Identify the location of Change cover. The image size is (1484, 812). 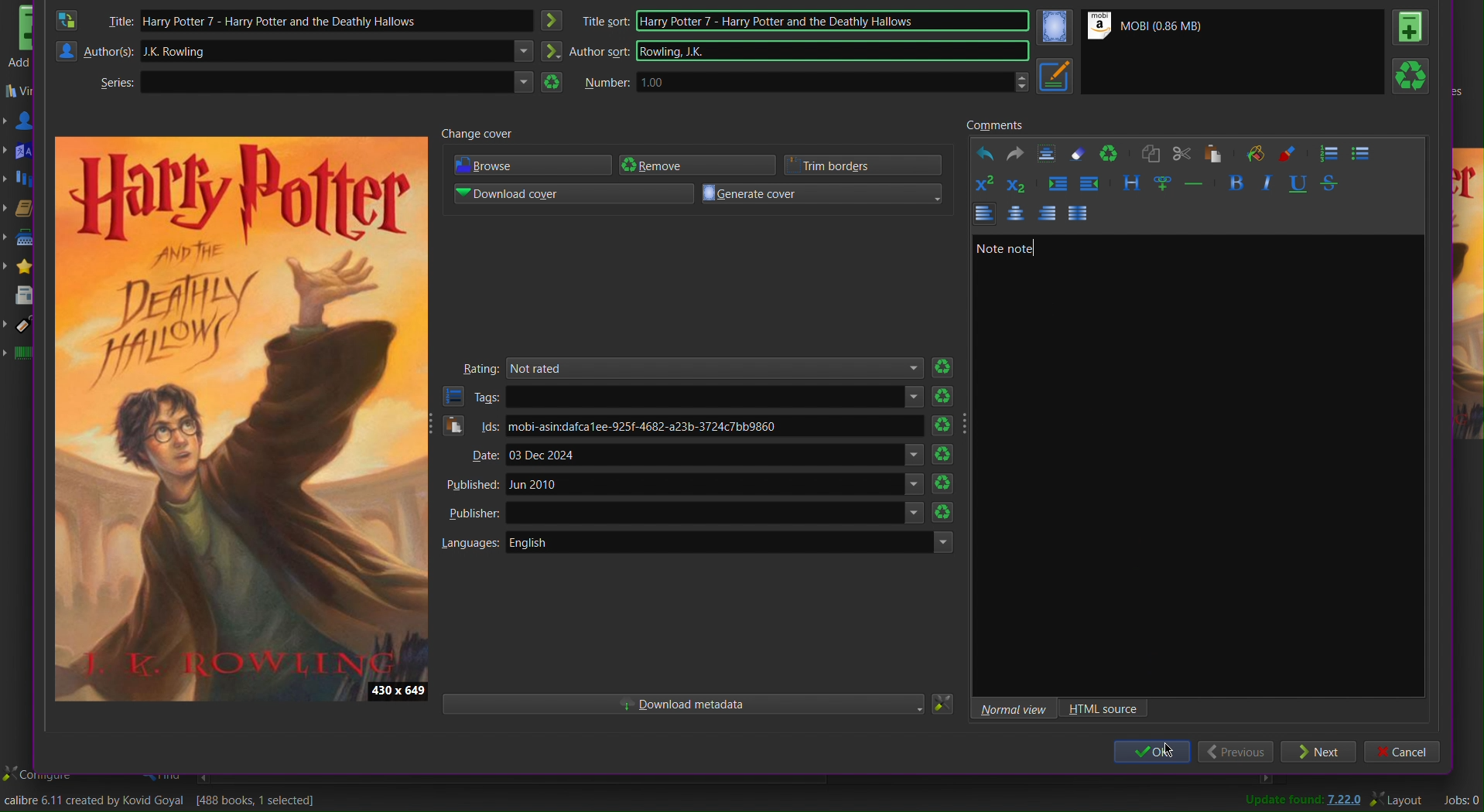
(475, 137).